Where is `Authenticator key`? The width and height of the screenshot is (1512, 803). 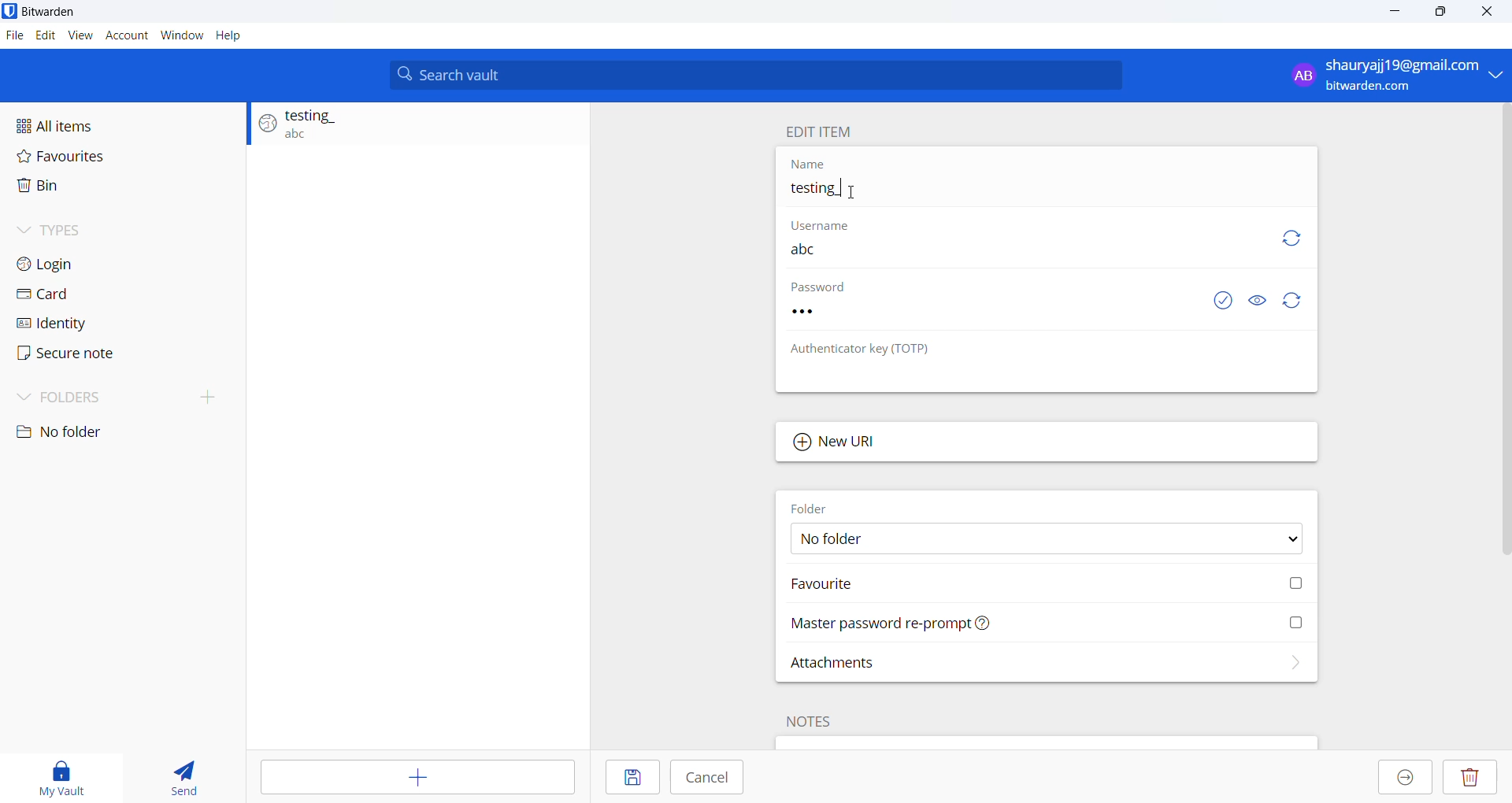 Authenticator key is located at coordinates (858, 350).